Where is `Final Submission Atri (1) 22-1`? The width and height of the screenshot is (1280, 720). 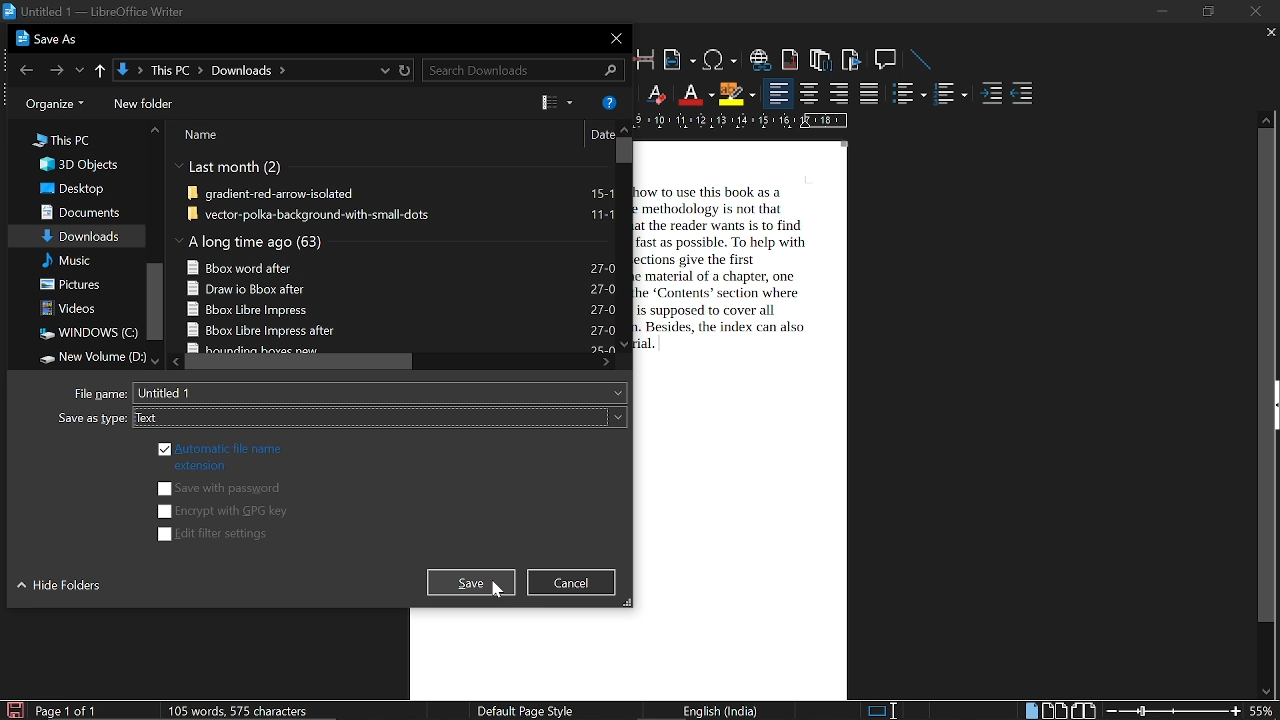
Final Submission Atri (1) 22-1 is located at coordinates (401, 287).